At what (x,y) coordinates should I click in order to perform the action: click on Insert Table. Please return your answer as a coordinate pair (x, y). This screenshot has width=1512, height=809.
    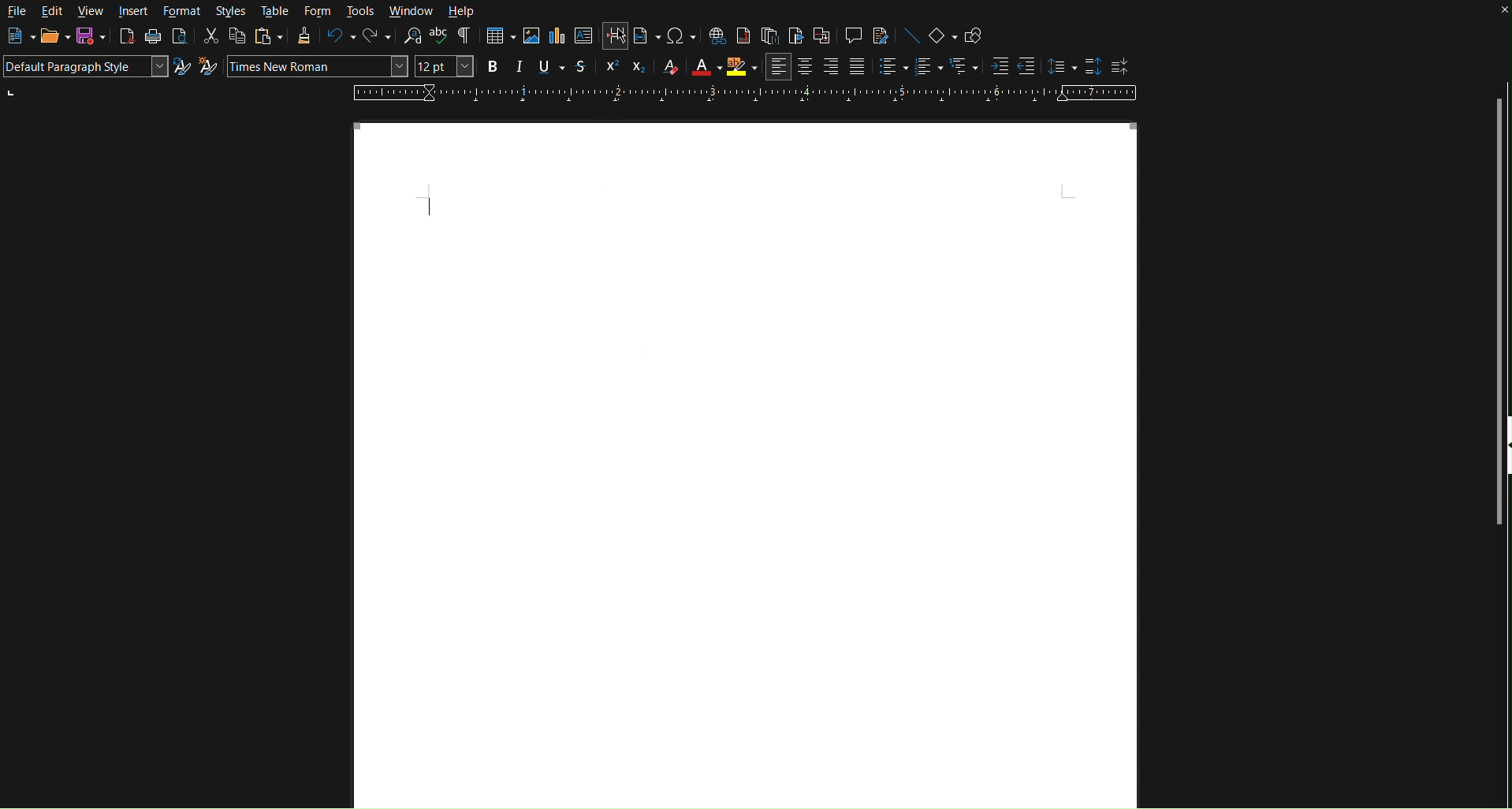
    Looking at the image, I should click on (499, 37).